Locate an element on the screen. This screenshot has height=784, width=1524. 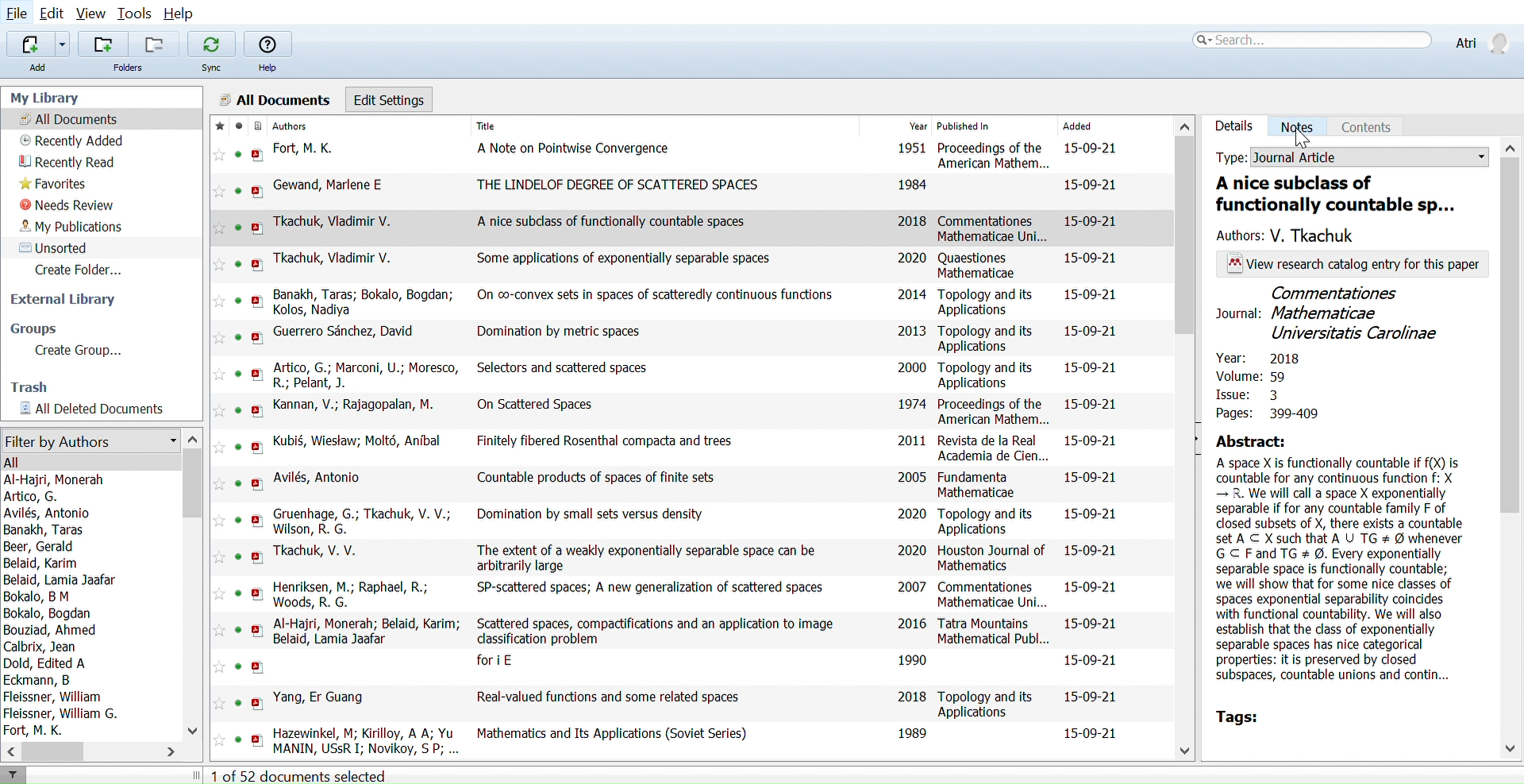
Fleissner, William is located at coordinates (53, 697).